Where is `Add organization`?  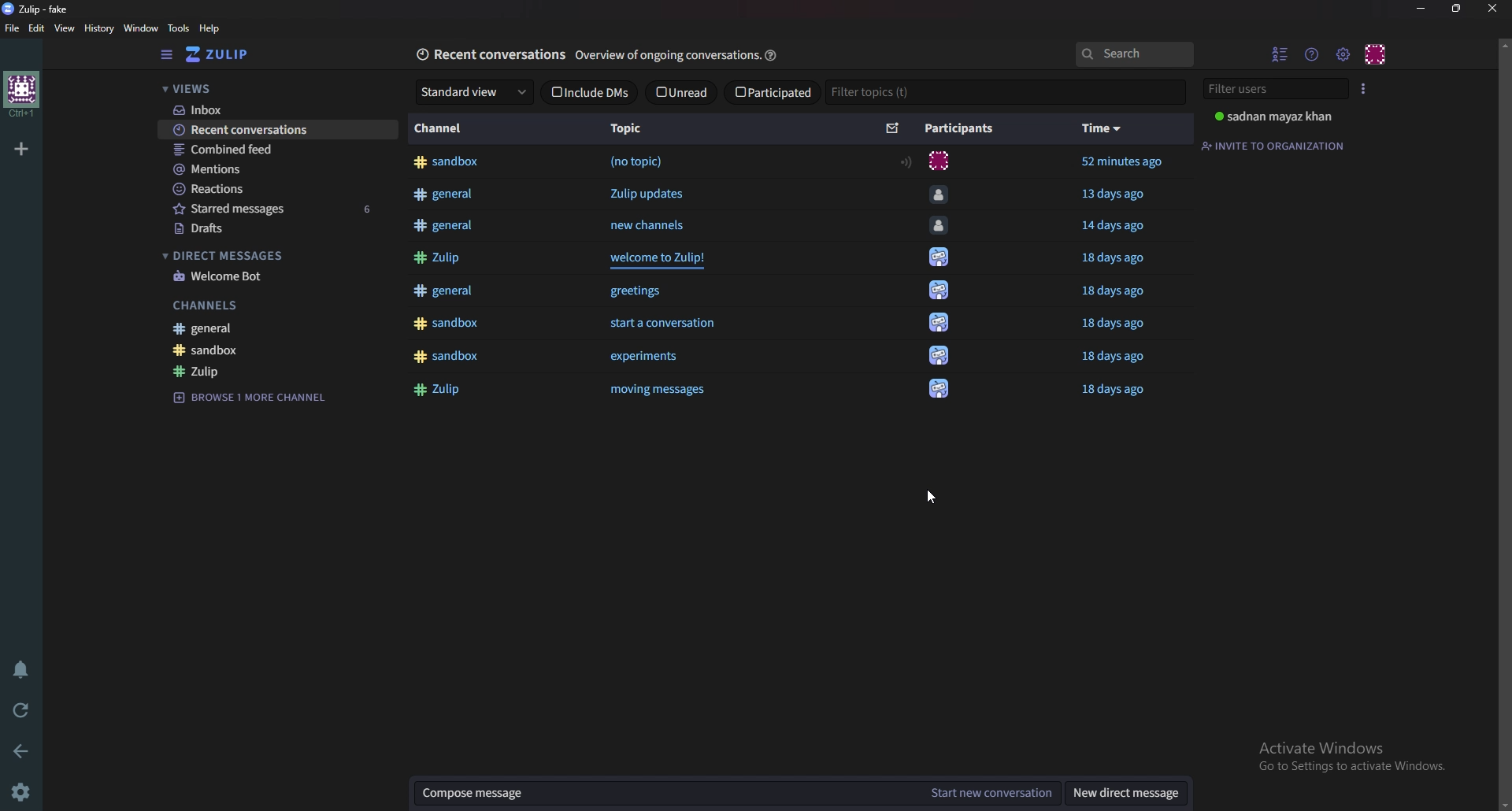 Add organization is located at coordinates (24, 146).